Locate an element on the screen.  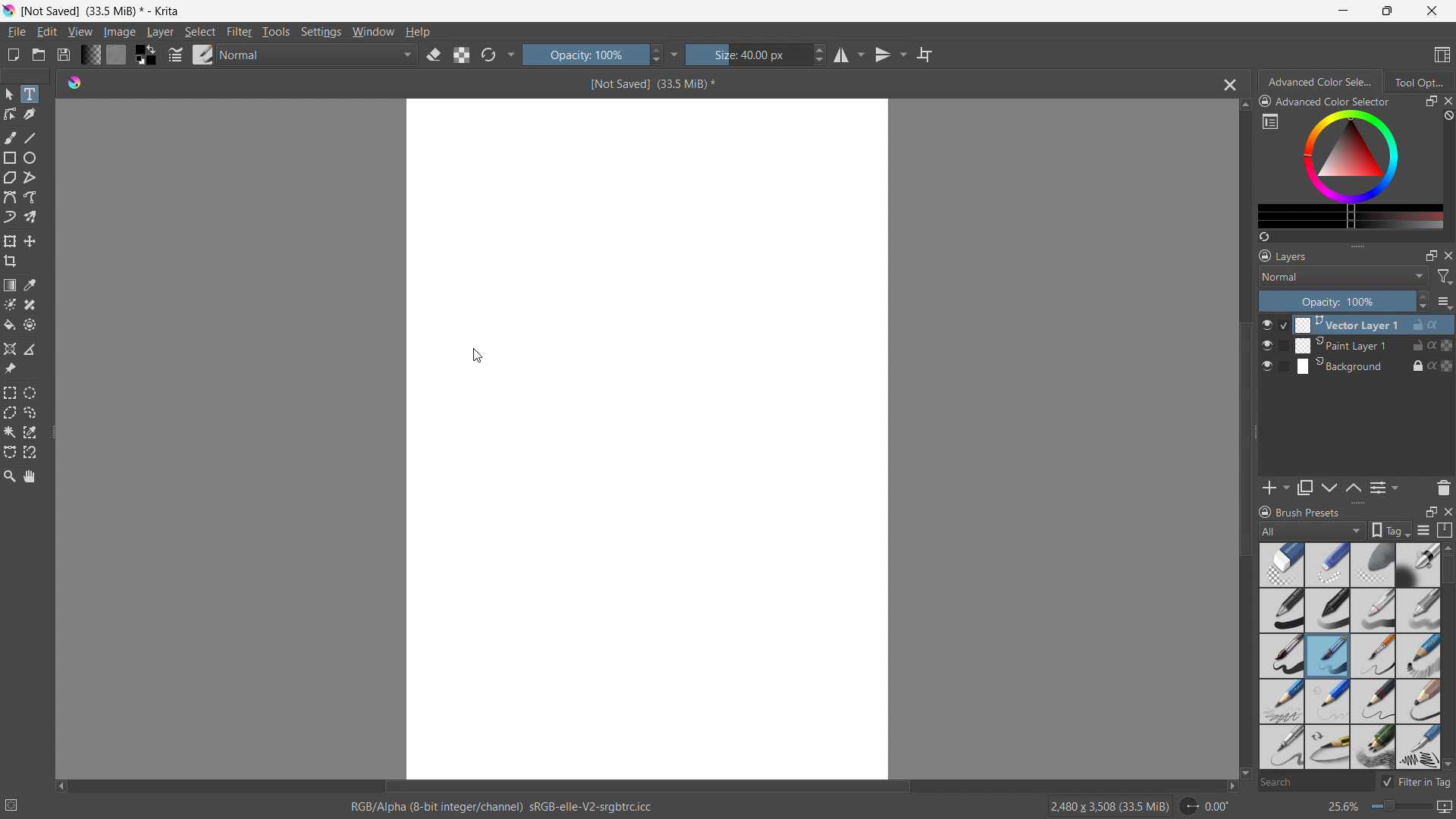
zoom tool  is located at coordinates (9, 475).